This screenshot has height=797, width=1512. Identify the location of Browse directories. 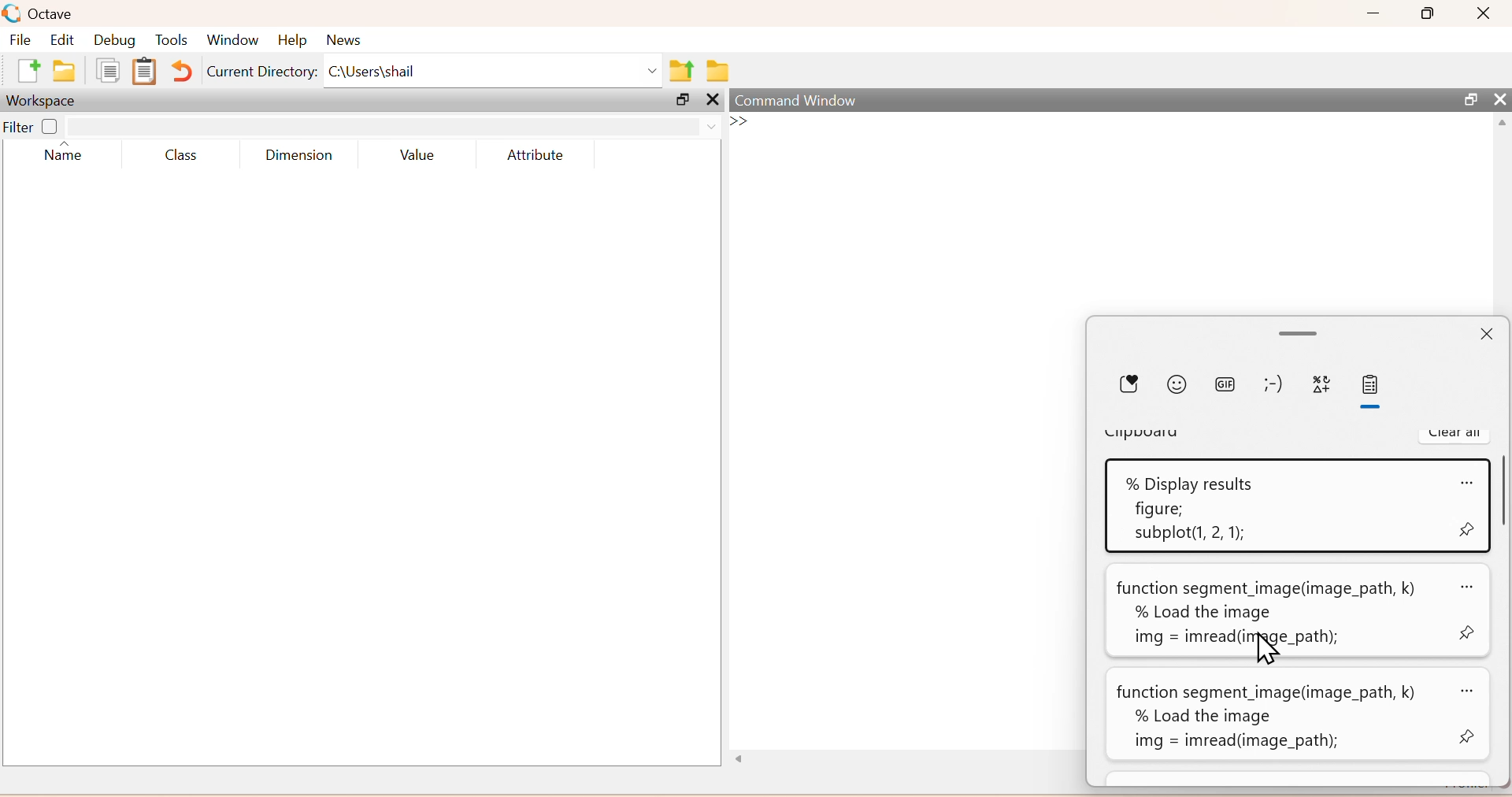
(717, 72).